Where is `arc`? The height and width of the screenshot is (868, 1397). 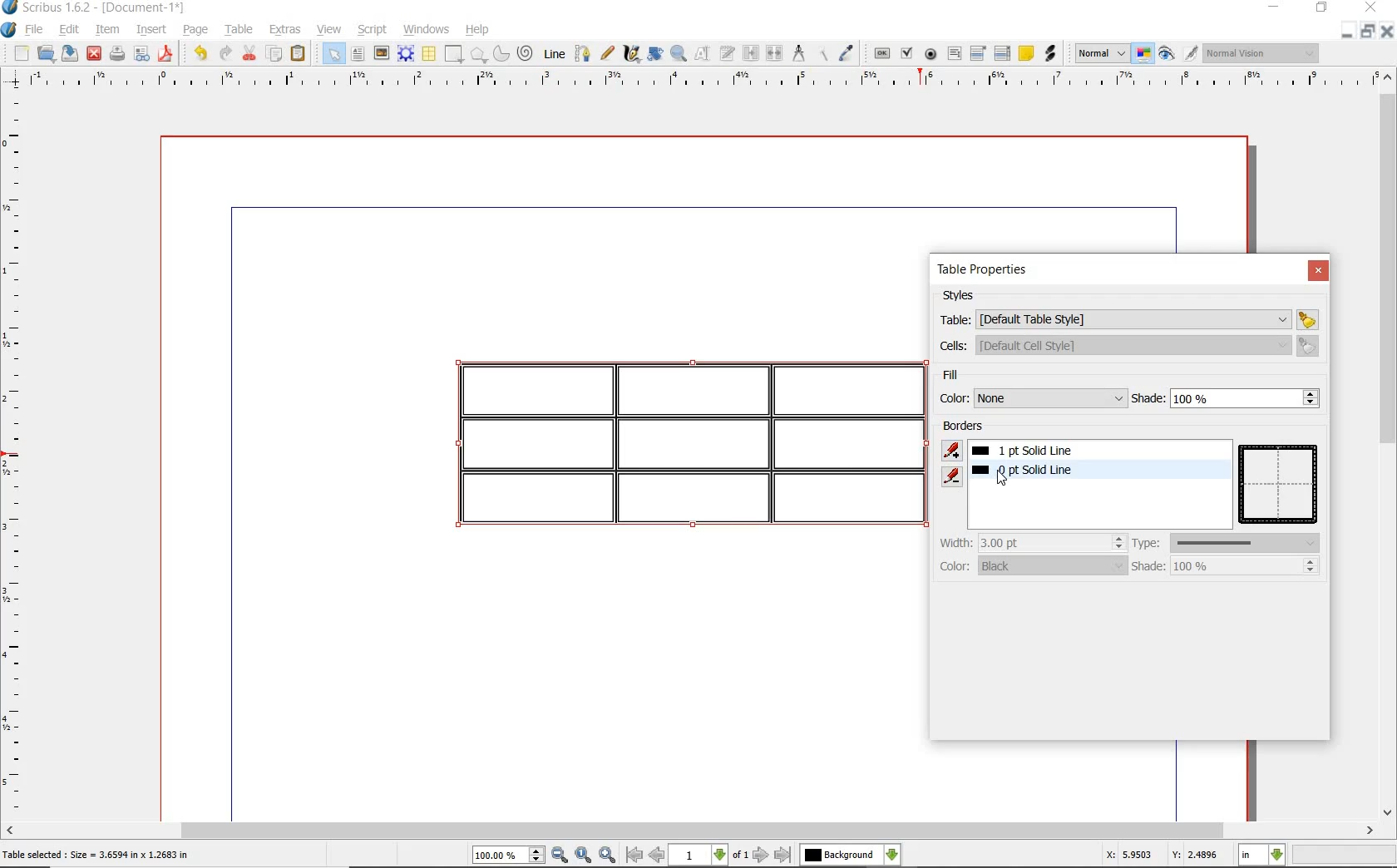
arc is located at coordinates (502, 54).